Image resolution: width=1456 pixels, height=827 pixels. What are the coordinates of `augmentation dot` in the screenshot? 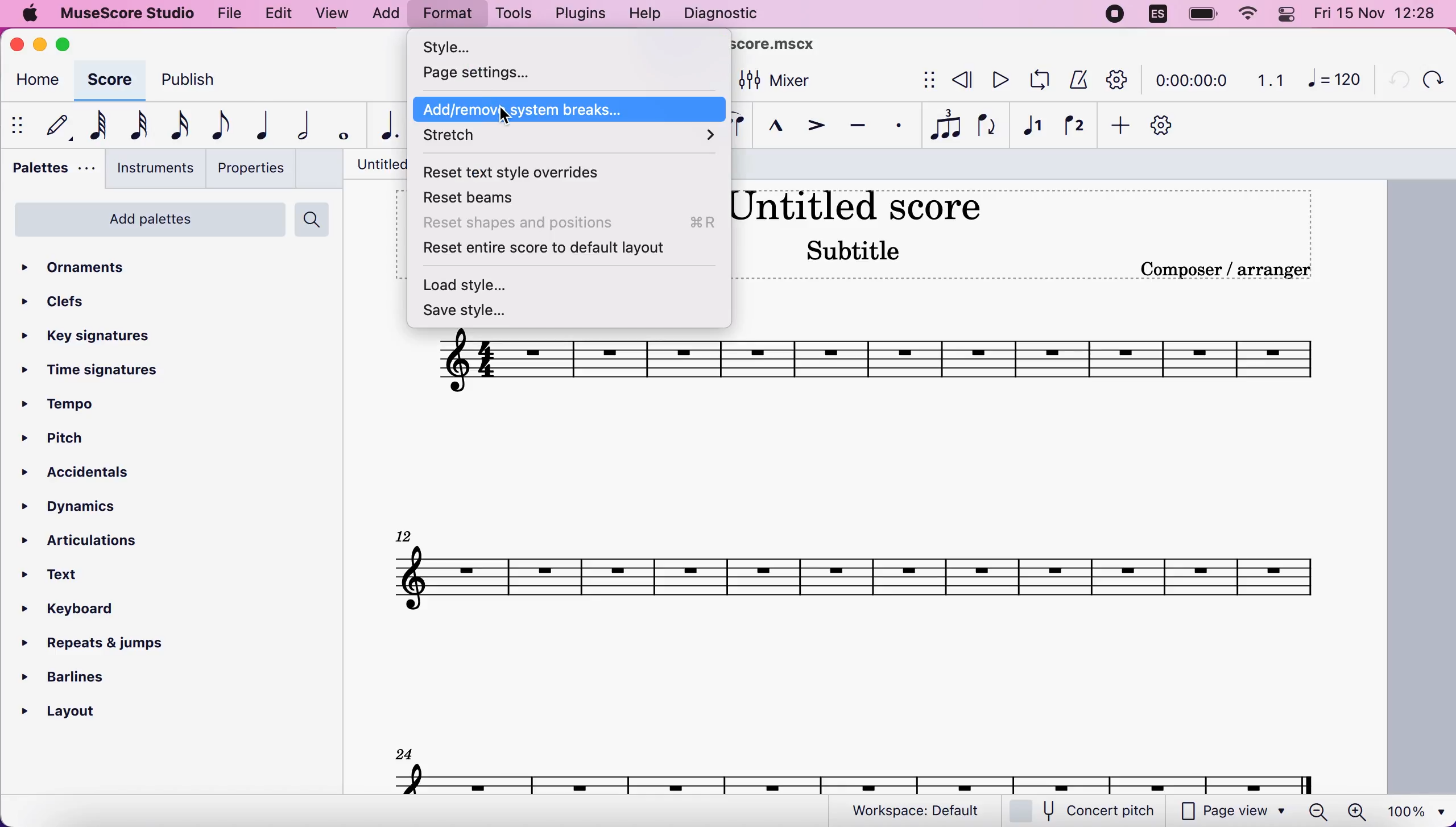 It's located at (383, 126).